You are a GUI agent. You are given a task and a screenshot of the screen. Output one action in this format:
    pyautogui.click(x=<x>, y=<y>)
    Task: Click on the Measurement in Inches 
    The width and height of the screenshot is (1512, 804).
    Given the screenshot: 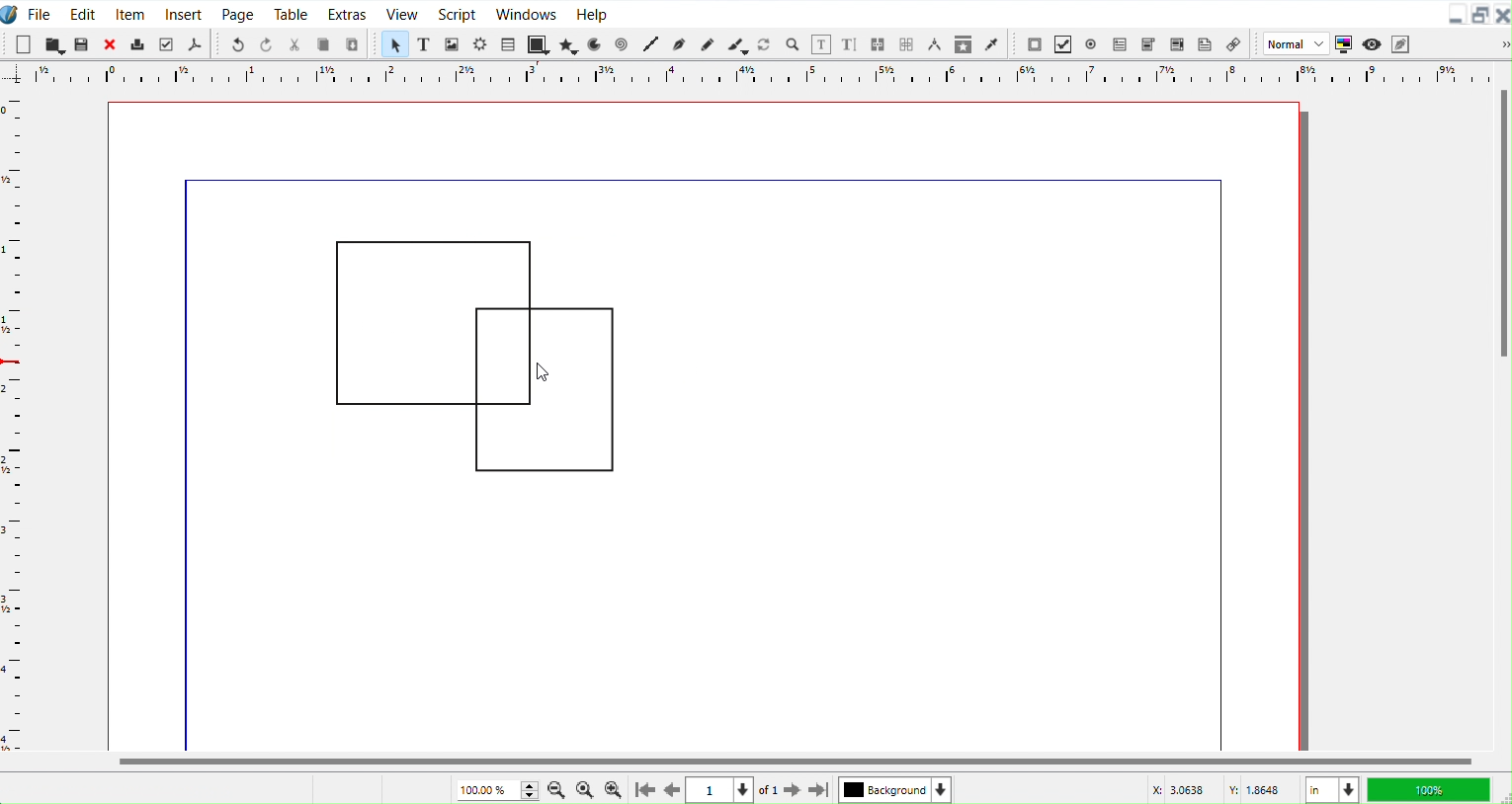 What is the action you would take?
    pyautogui.click(x=1332, y=789)
    